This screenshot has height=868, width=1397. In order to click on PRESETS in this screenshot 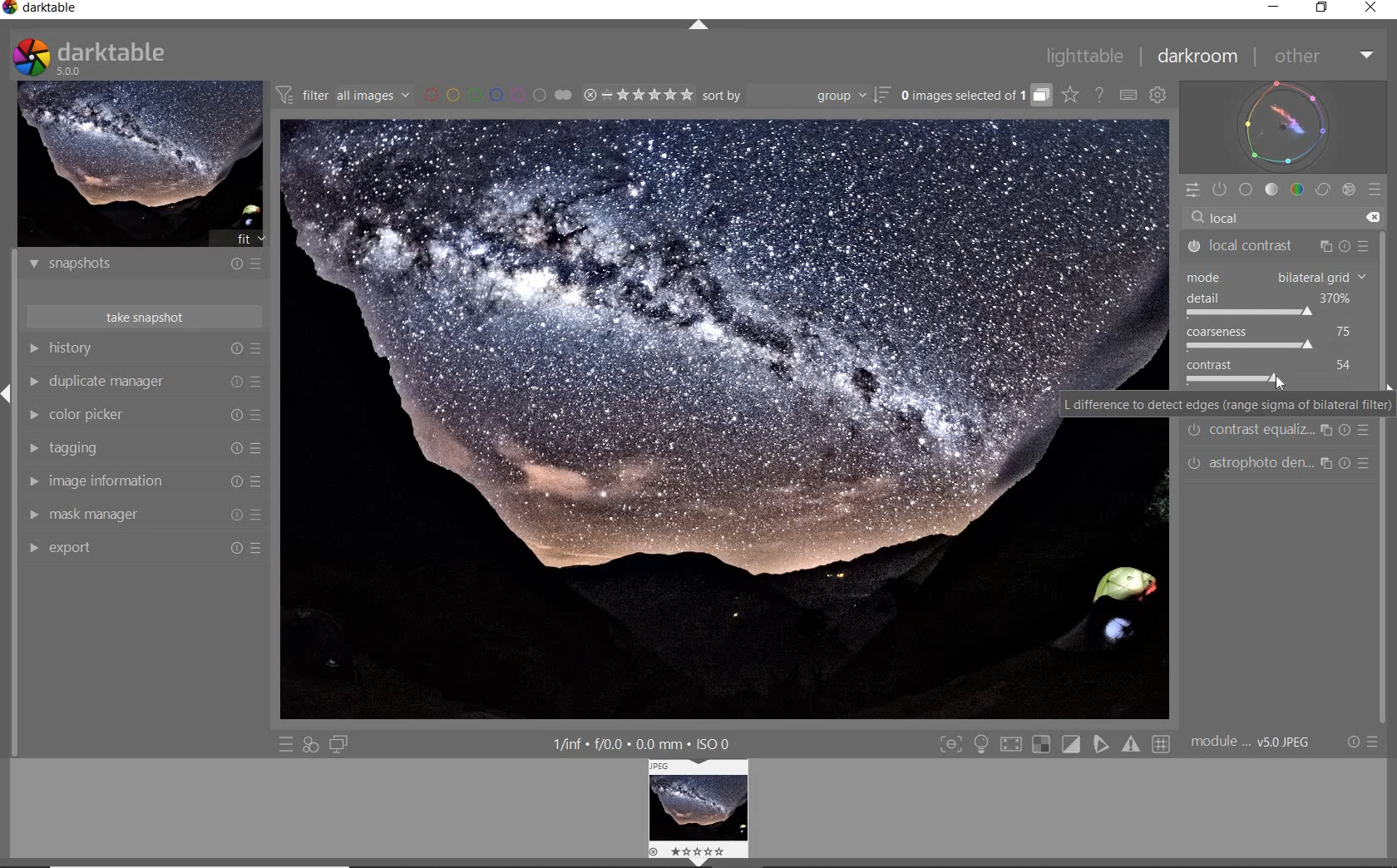, I will do `click(1375, 192)`.